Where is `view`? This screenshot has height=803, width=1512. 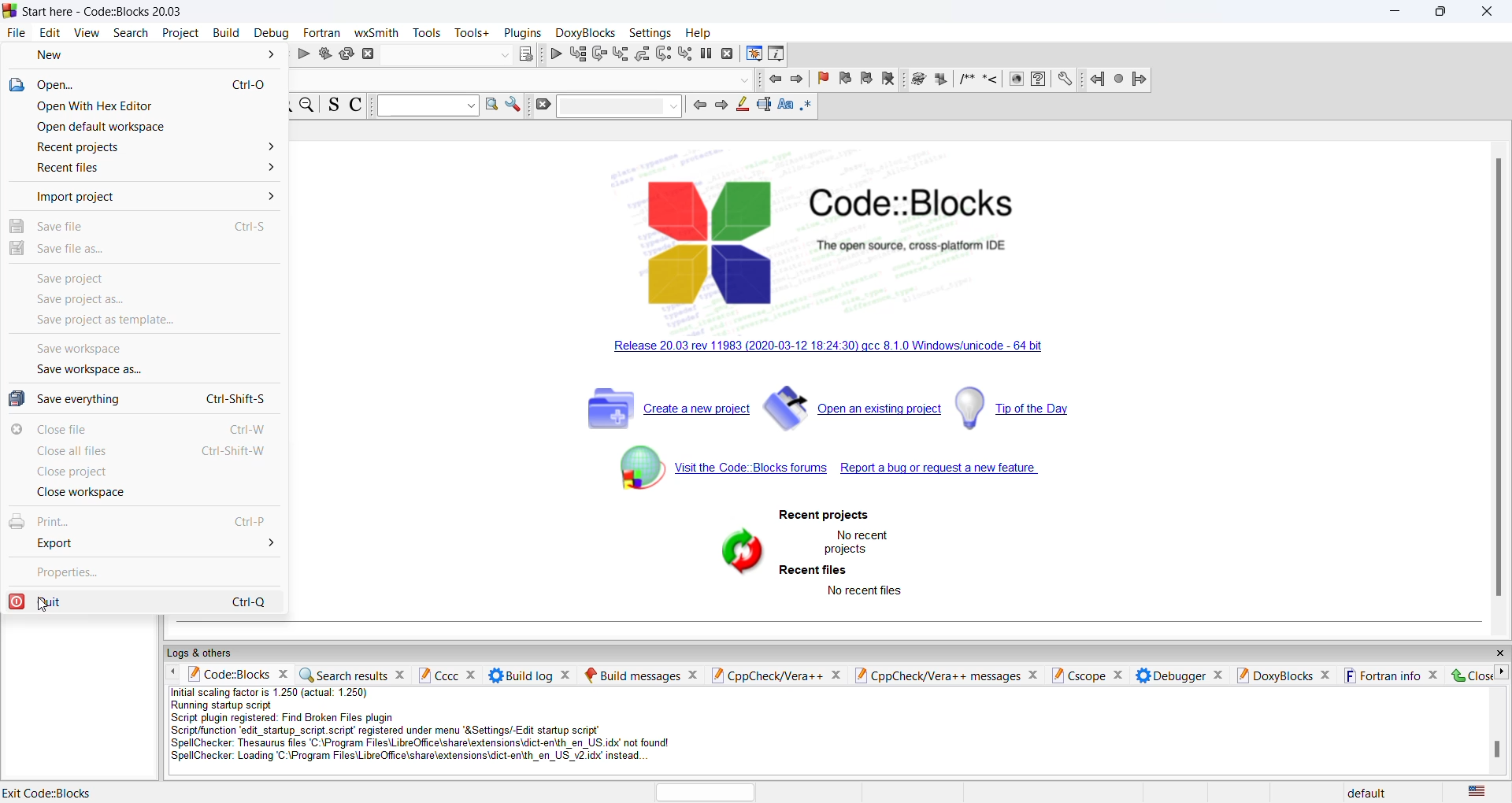 view is located at coordinates (87, 33).